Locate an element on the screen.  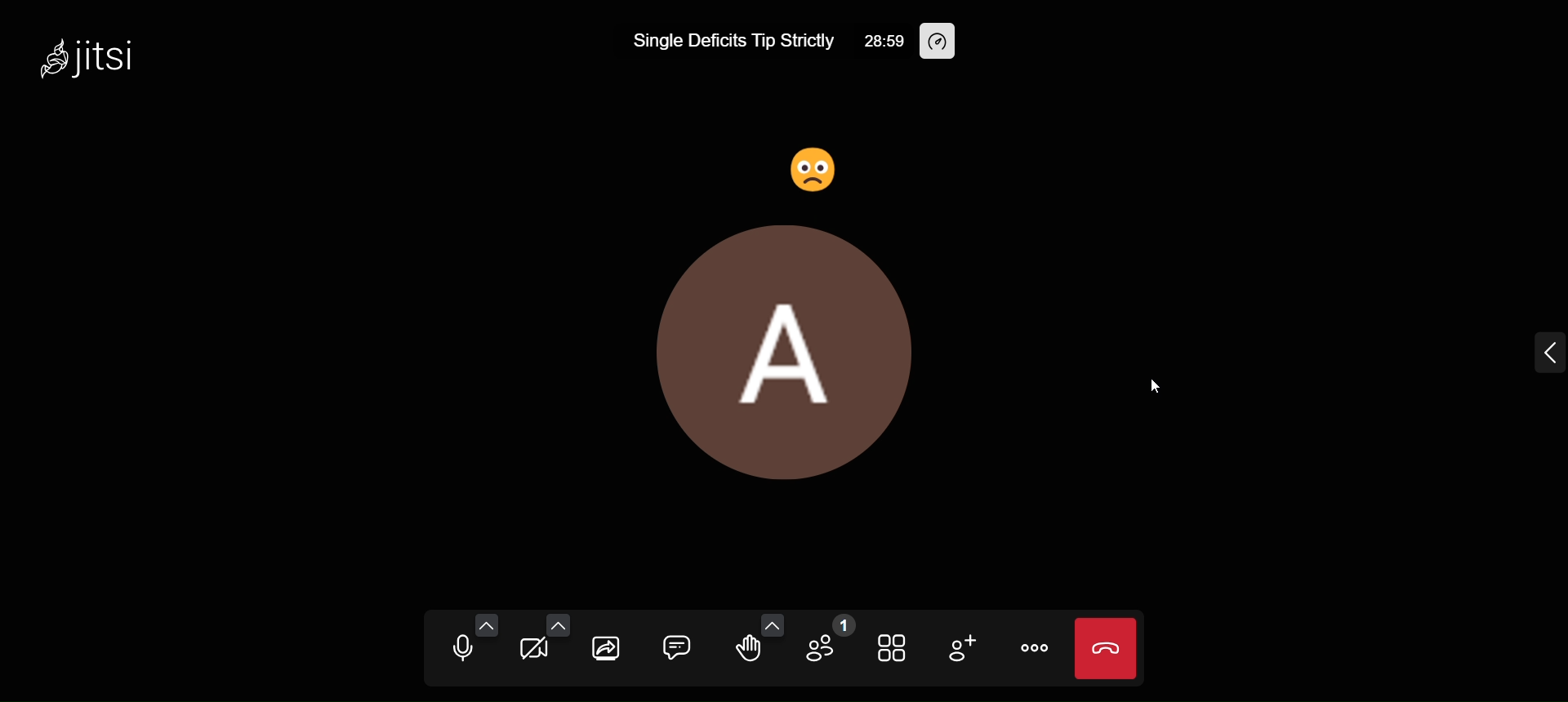
more actions is located at coordinates (1039, 649).